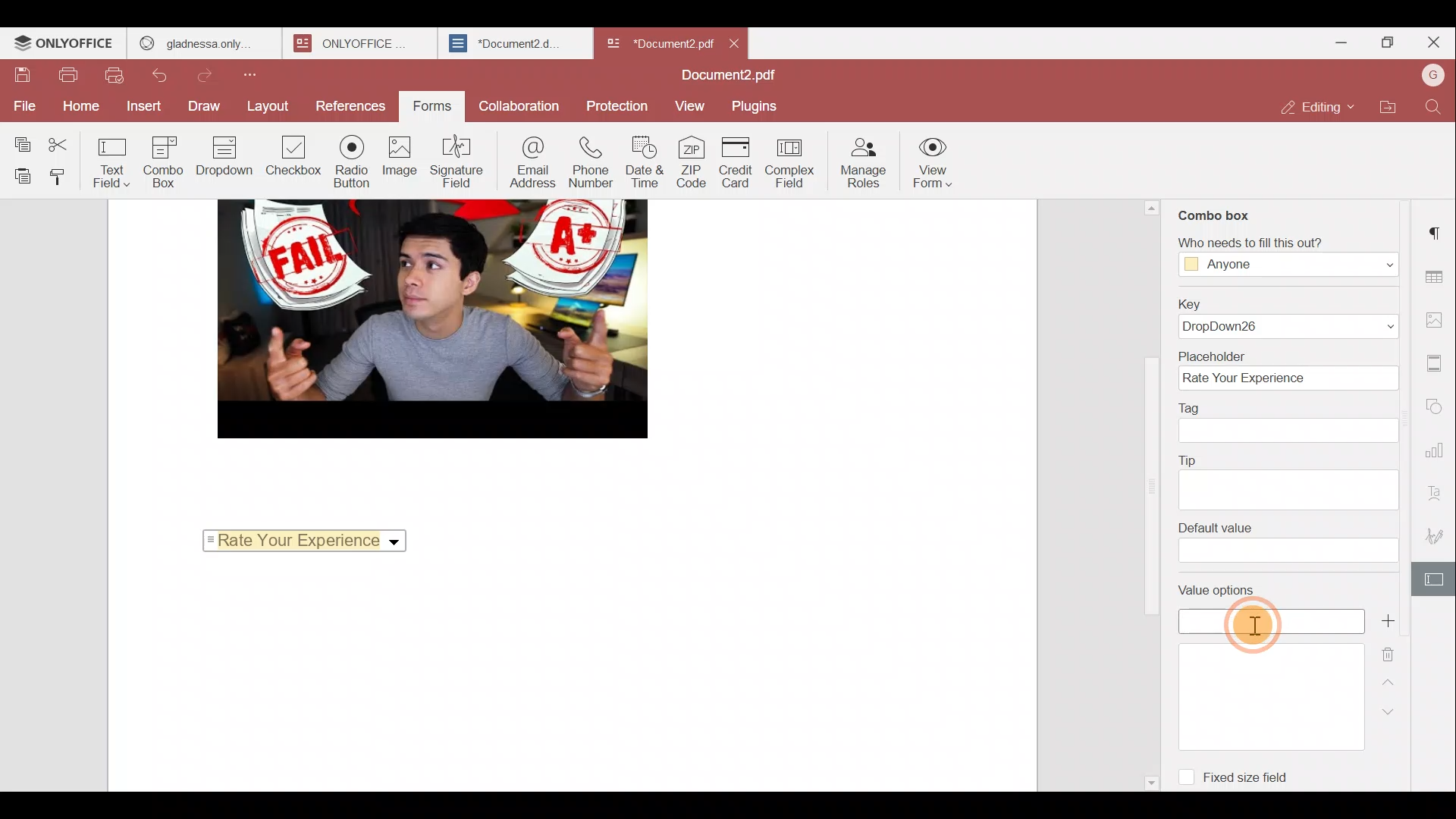 Image resolution: width=1456 pixels, height=819 pixels. Describe the element at coordinates (400, 159) in the screenshot. I see `Image` at that location.